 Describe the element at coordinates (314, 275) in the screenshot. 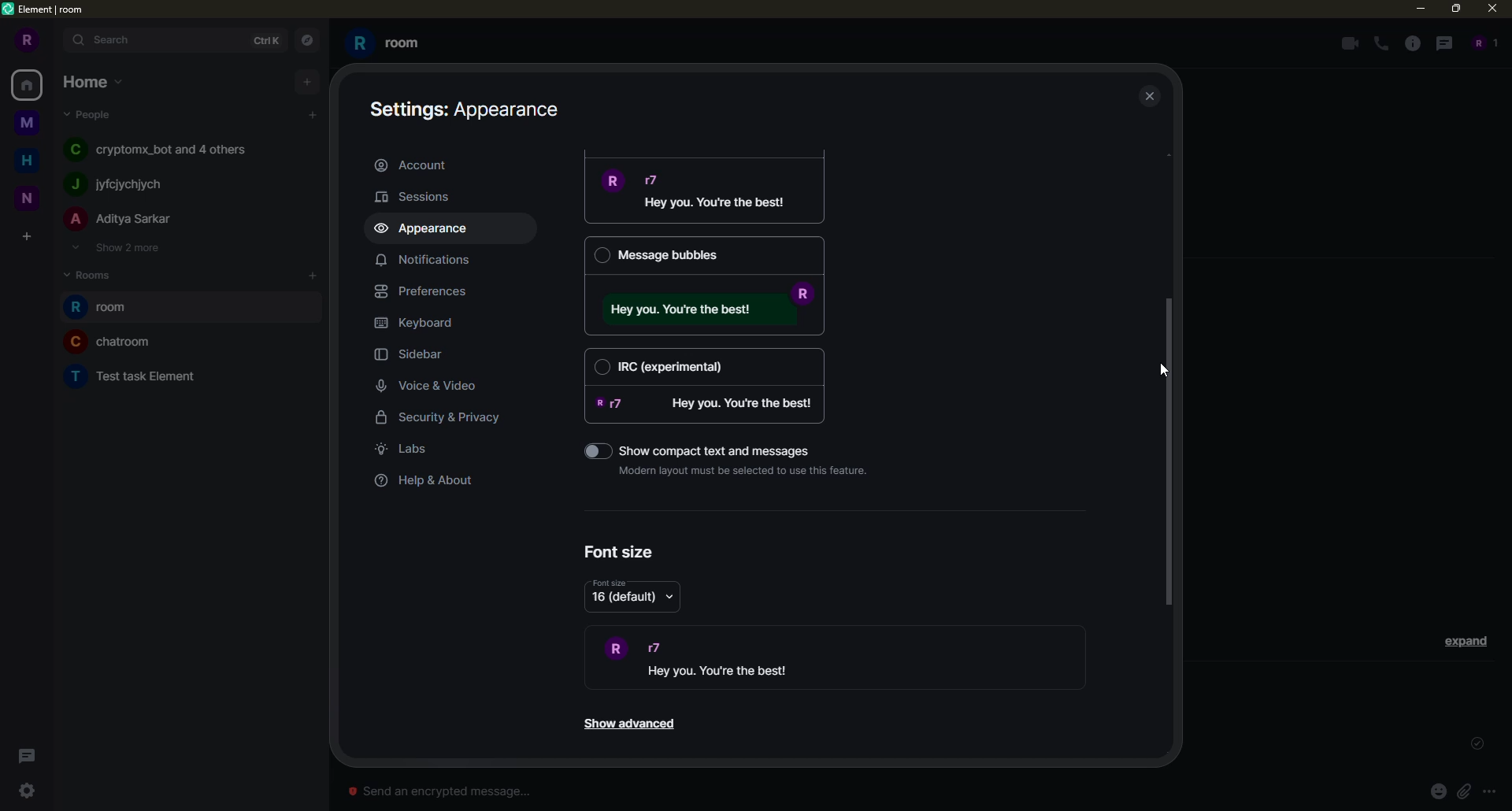

I see `add` at that location.